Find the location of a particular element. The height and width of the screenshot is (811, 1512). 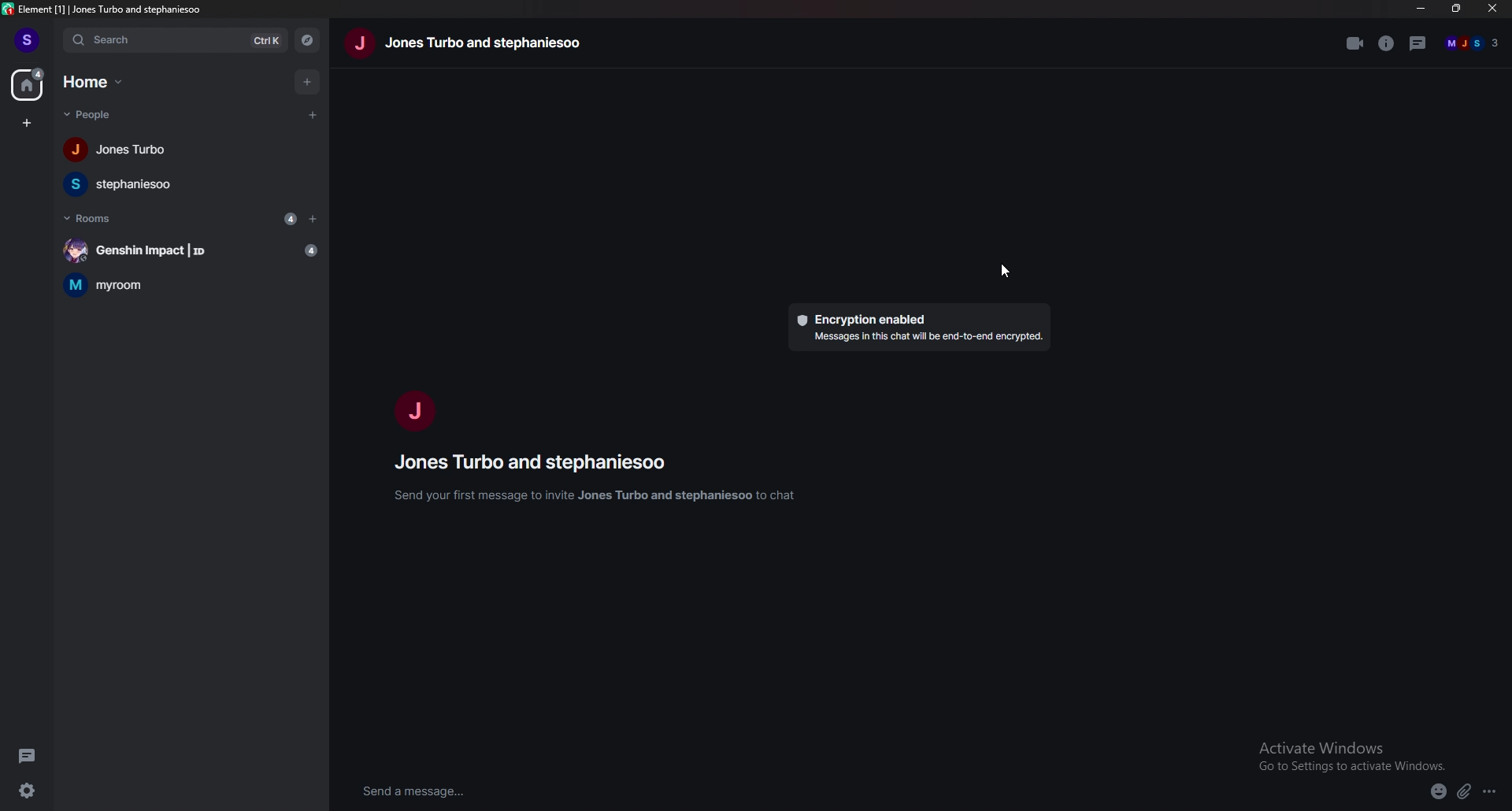

people is located at coordinates (1473, 43).